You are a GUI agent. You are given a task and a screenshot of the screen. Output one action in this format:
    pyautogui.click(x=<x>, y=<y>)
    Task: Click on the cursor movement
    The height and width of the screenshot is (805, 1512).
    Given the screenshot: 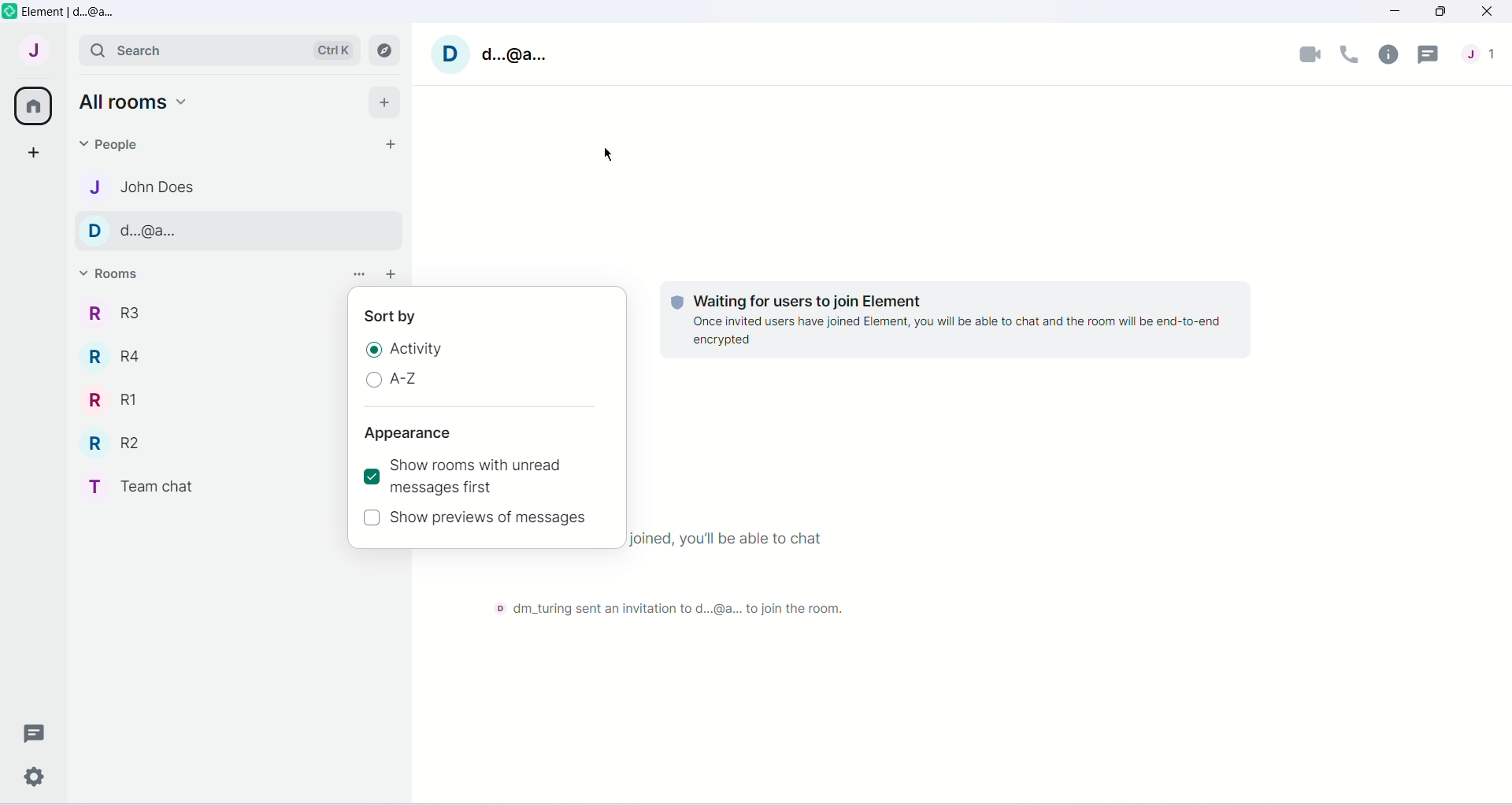 What is the action you would take?
    pyautogui.click(x=609, y=158)
    